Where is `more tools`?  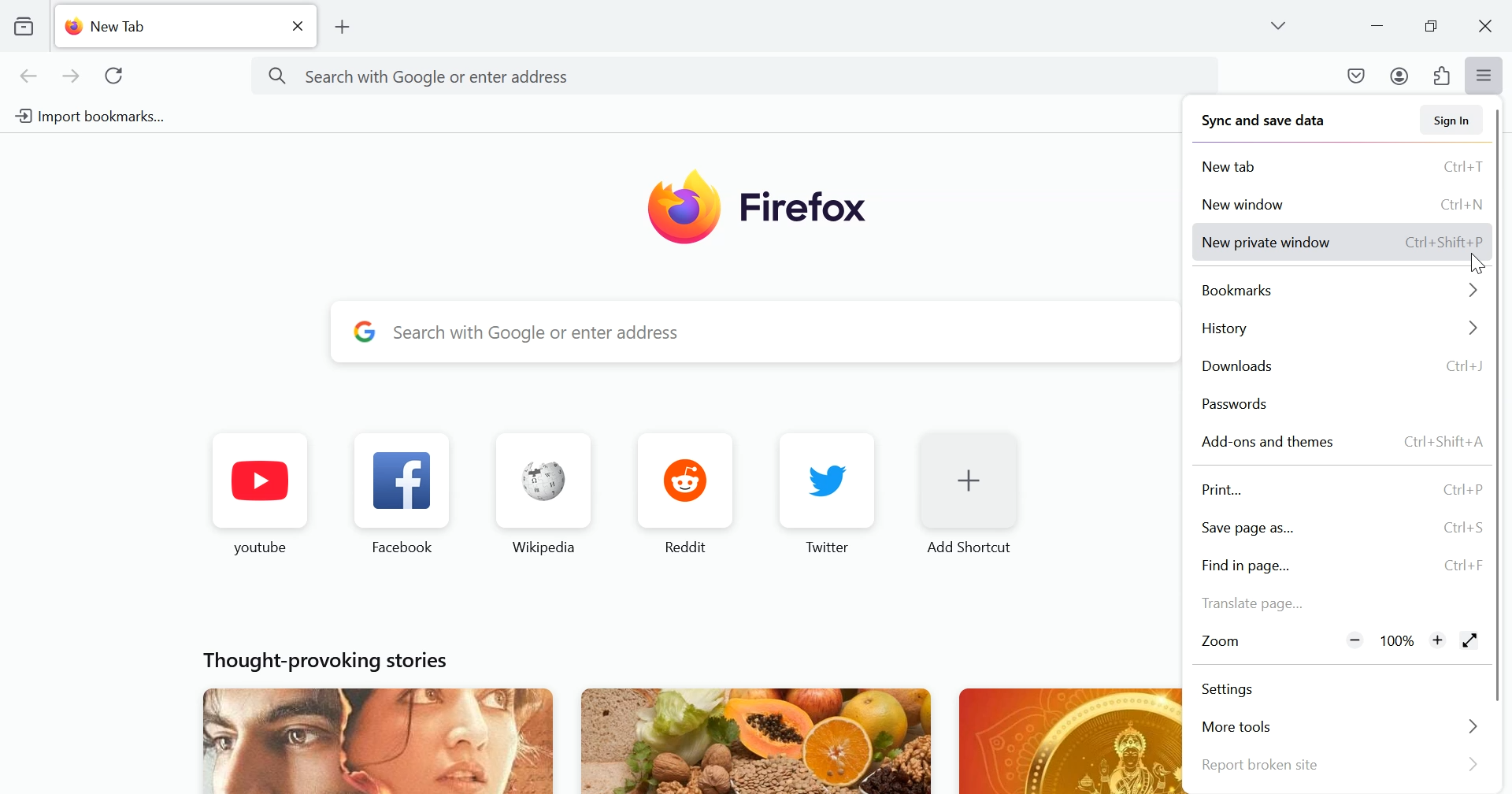
more tools is located at coordinates (1340, 726).